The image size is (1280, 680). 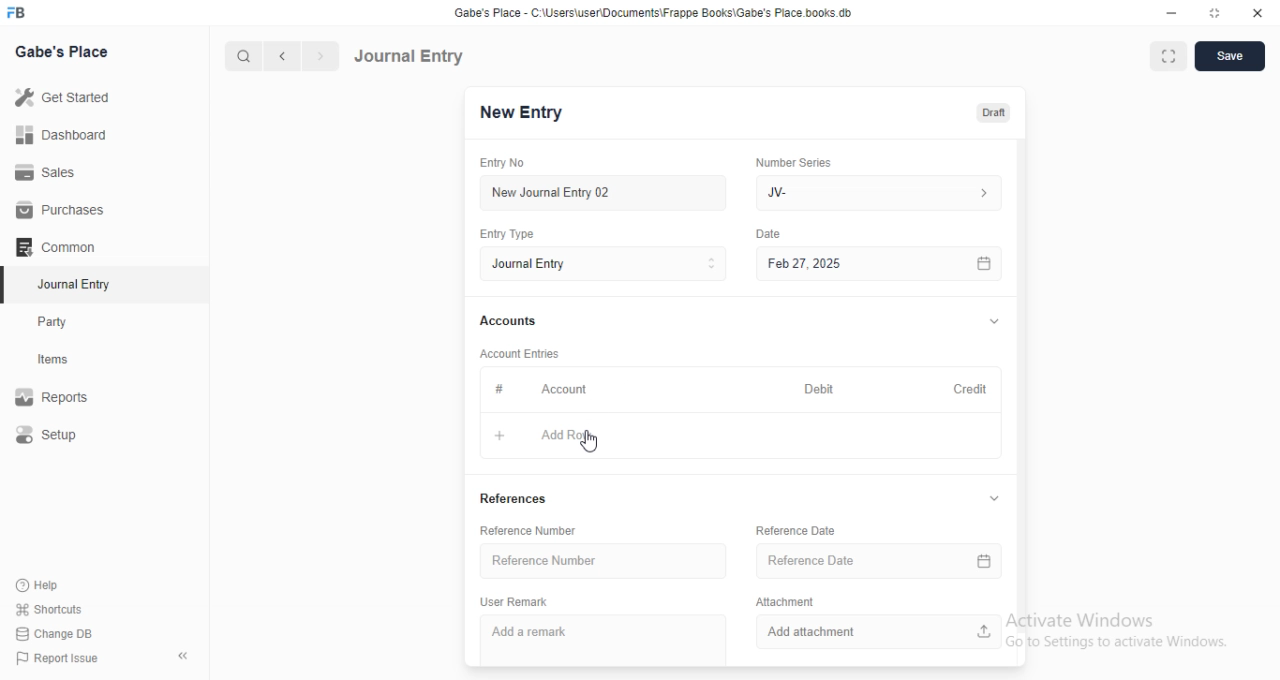 What do you see at coordinates (519, 353) in the screenshot?
I see `Account entries` at bounding box center [519, 353].